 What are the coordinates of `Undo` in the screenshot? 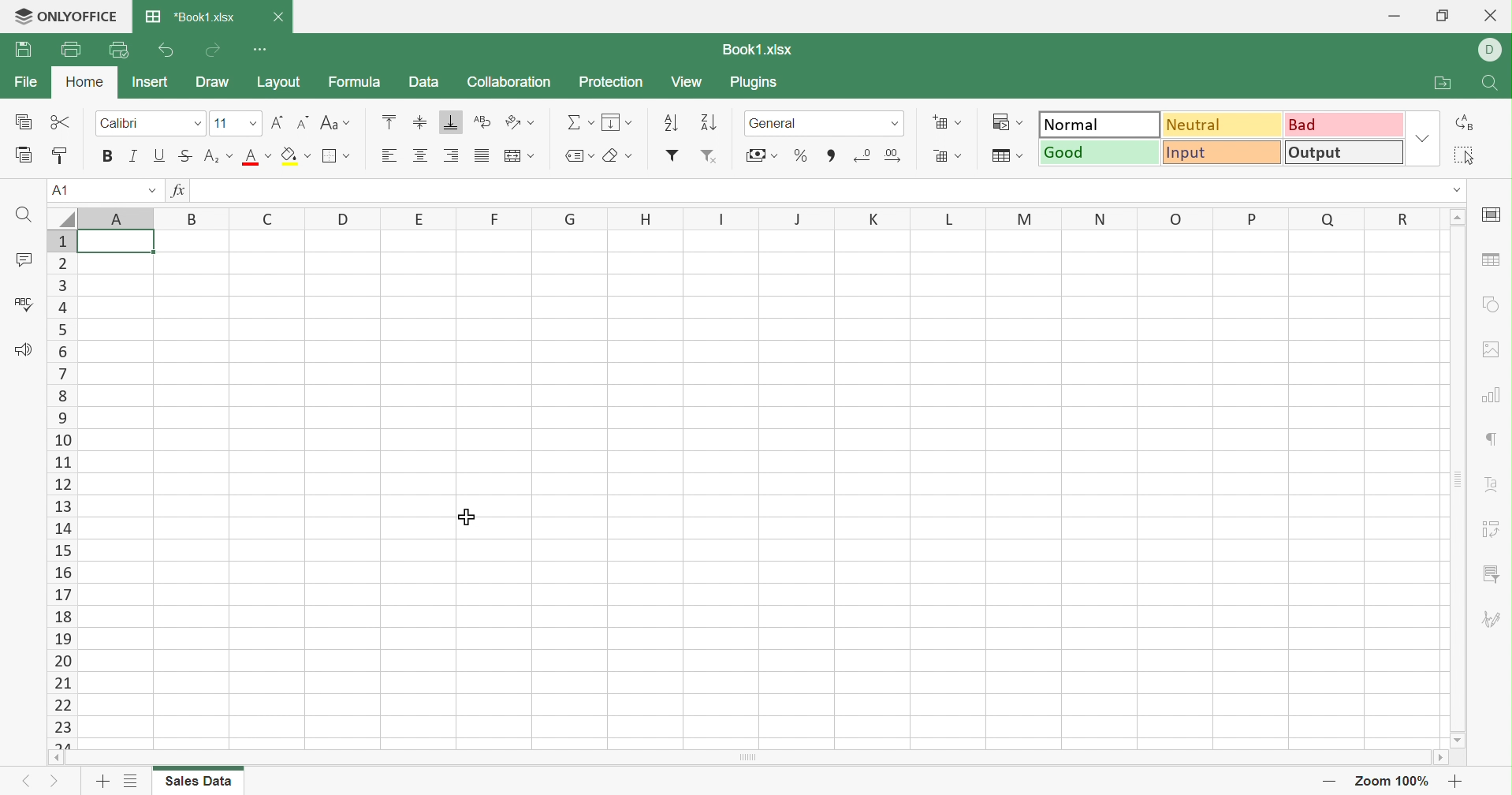 It's located at (166, 50).